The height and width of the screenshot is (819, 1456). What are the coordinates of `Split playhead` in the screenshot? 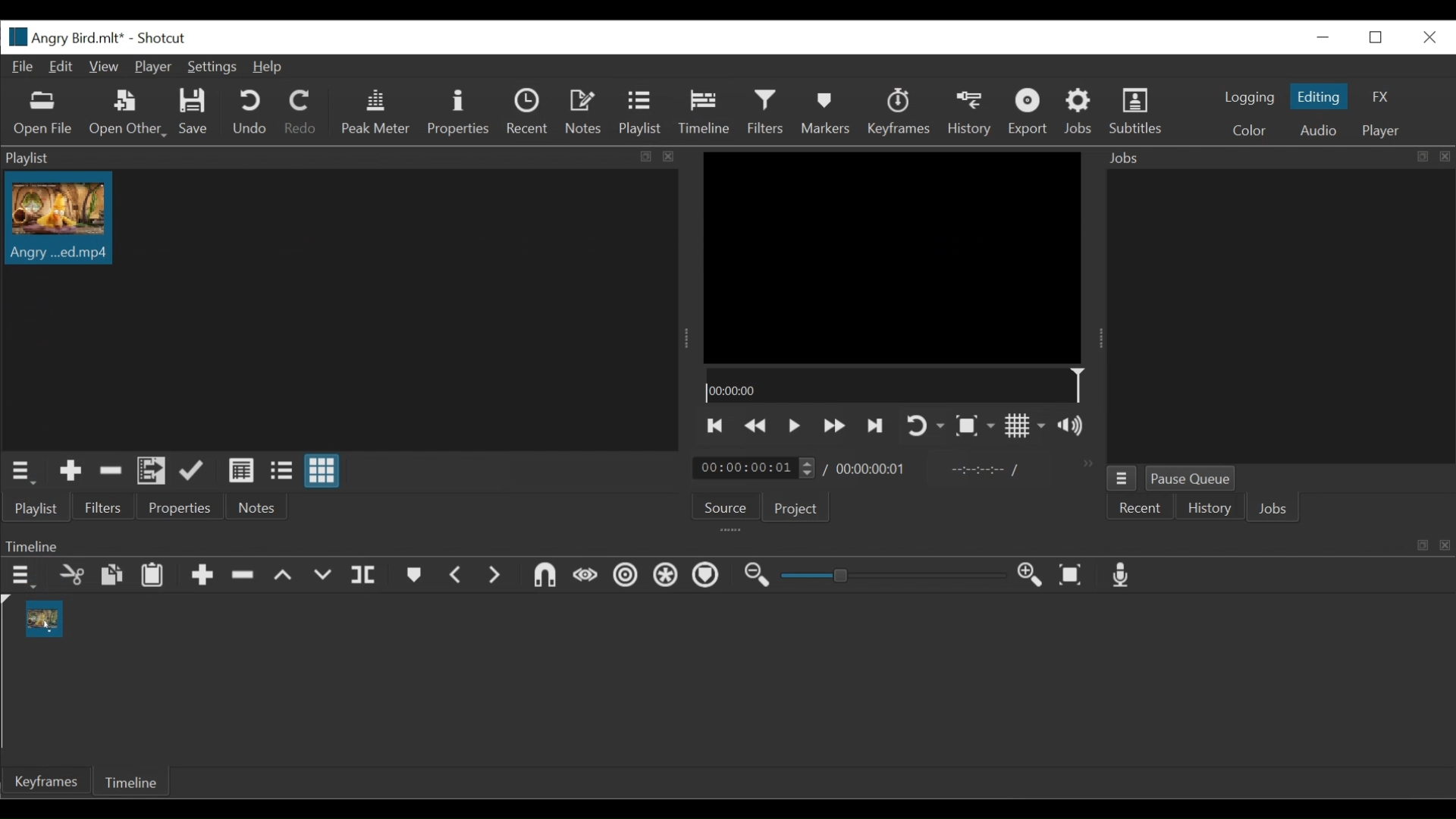 It's located at (365, 576).